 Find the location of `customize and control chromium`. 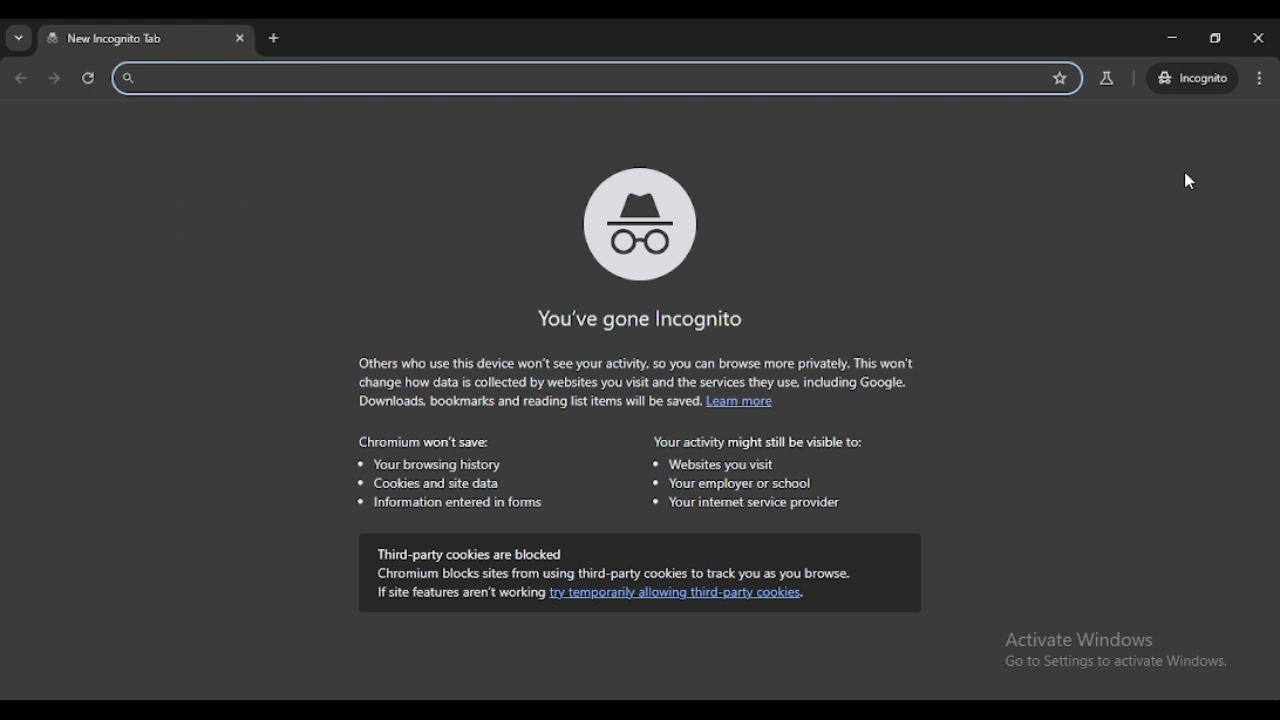

customize and control chromium is located at coordinates (1259, 78).